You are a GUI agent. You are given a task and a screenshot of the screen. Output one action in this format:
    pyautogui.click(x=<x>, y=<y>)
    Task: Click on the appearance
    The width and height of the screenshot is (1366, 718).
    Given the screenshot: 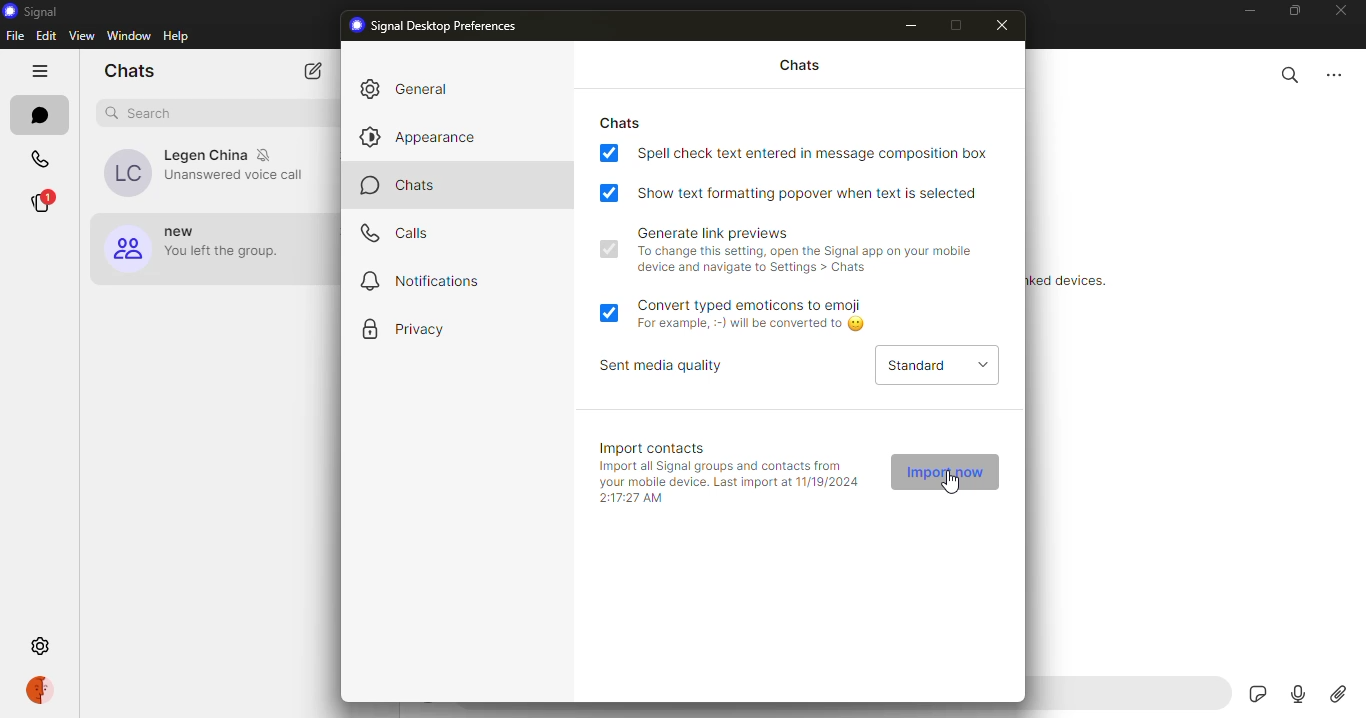 What is the action you would take?
    pyautogui.click(x=423, y=135)
    